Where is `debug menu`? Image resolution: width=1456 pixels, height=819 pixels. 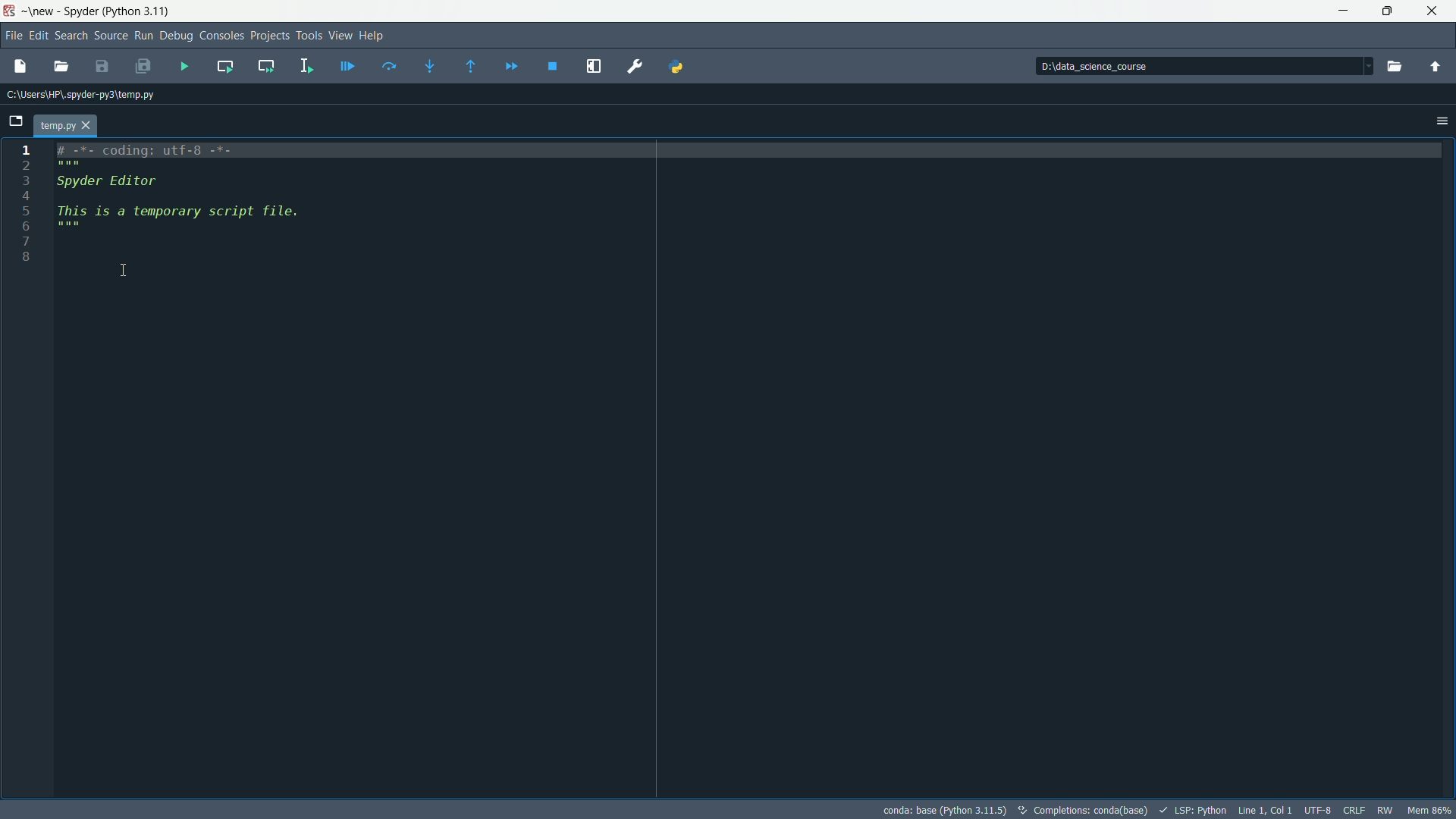 debug menu is located at coordinates (176, 36).